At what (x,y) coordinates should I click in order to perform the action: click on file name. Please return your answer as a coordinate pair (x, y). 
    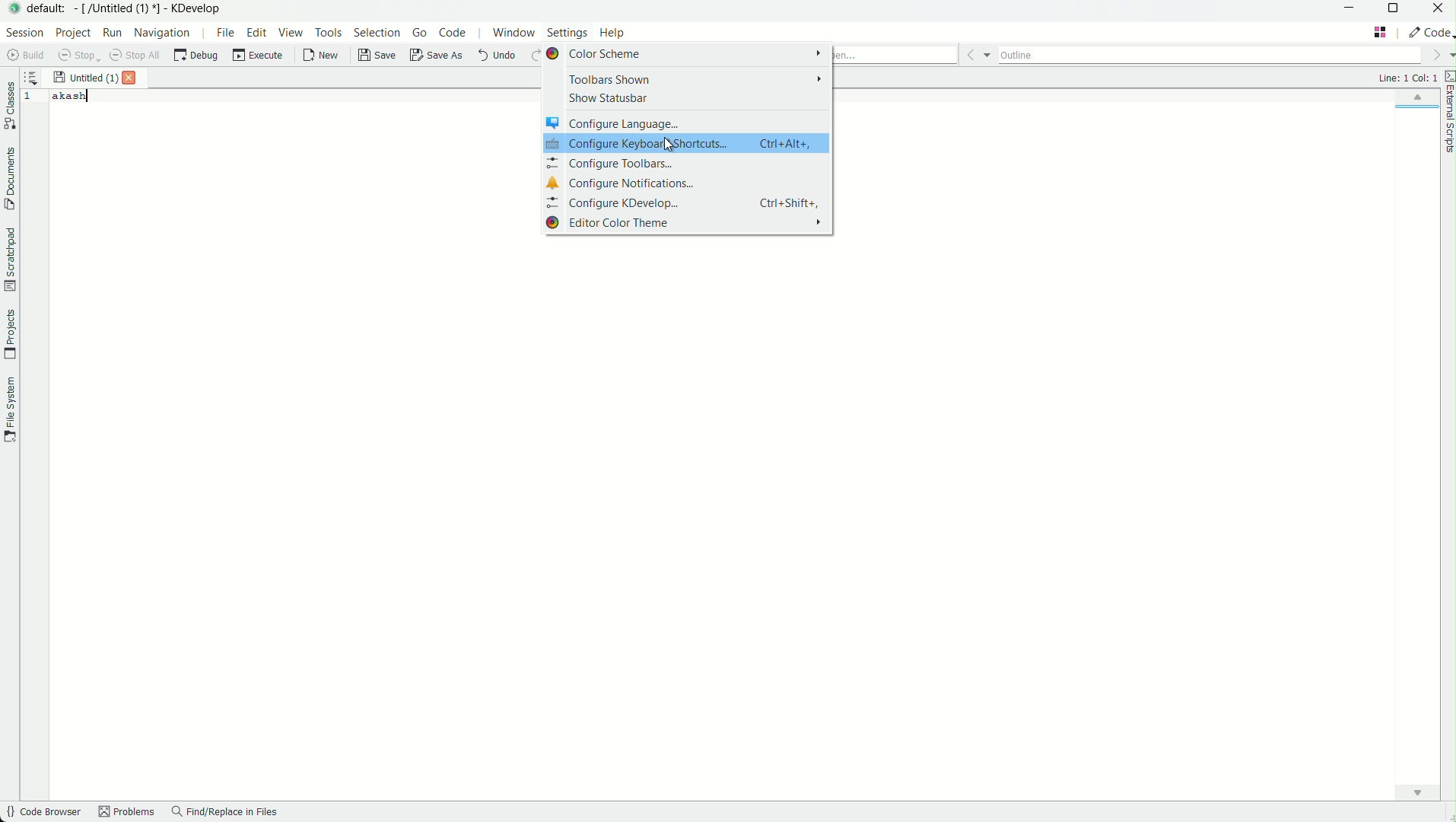
    Looking at the image, I should click on (85, 78).